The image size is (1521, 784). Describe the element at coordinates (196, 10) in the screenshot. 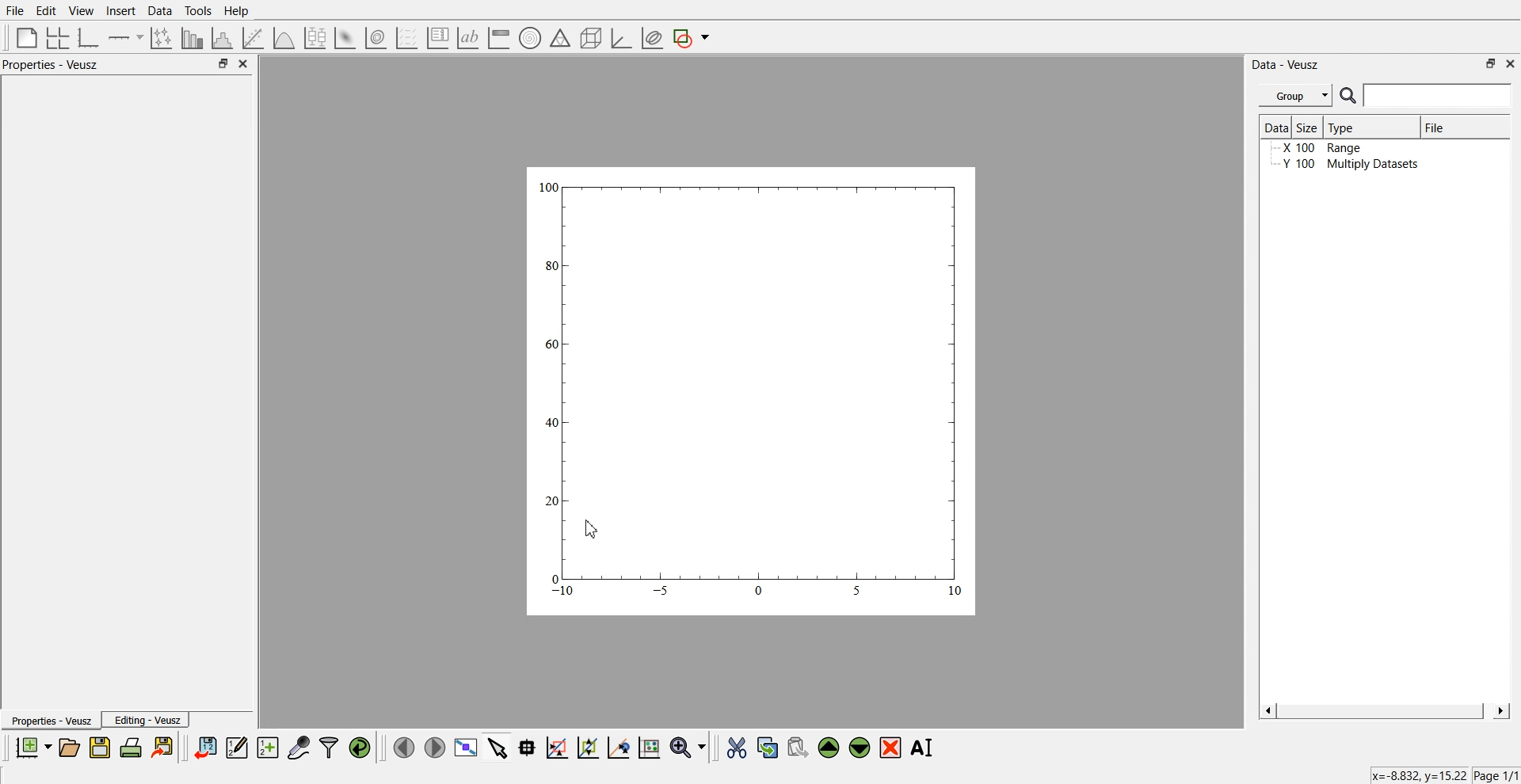

I see `Tools` at that location.